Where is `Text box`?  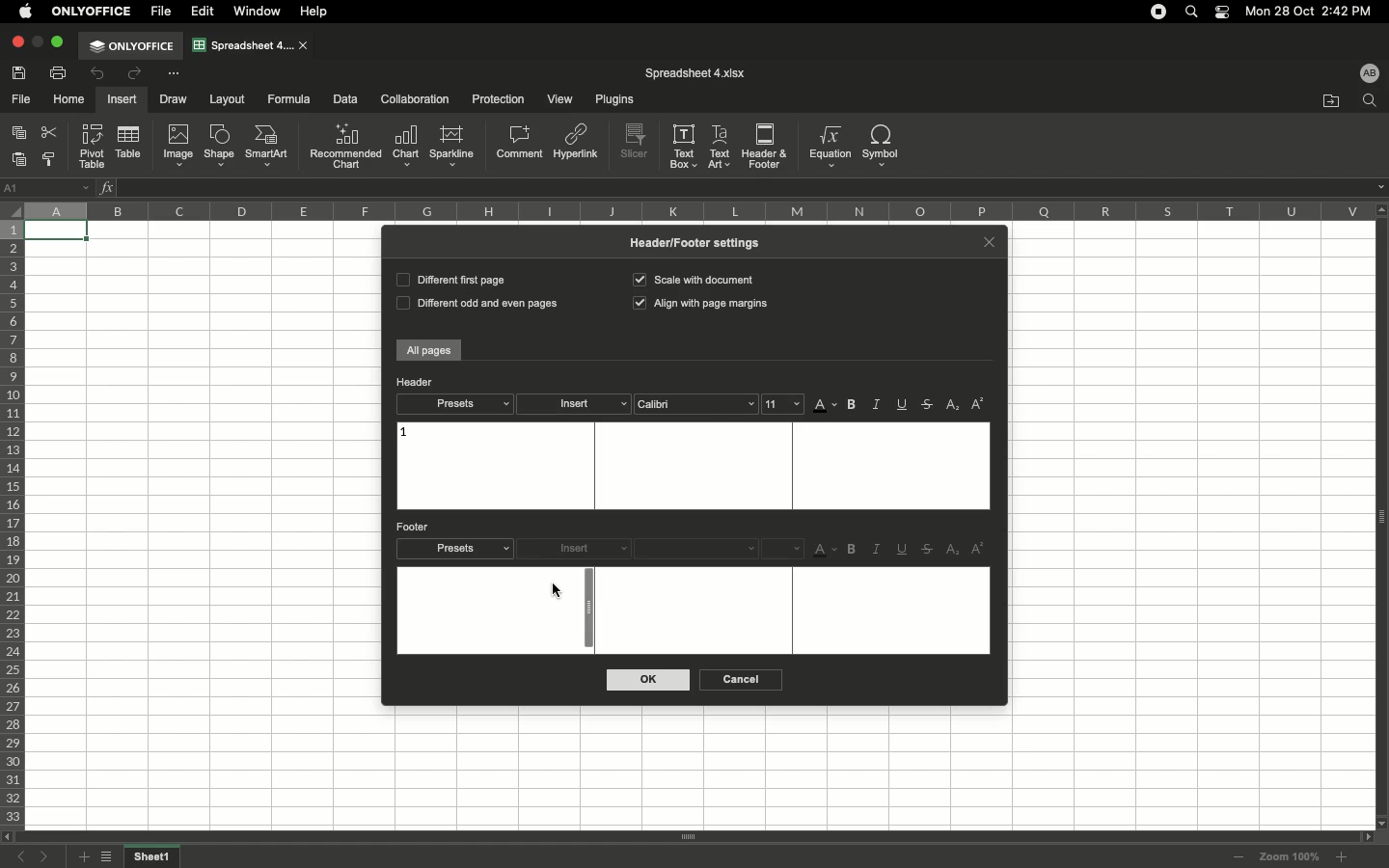 Text box is located at coordinates (691, 466).